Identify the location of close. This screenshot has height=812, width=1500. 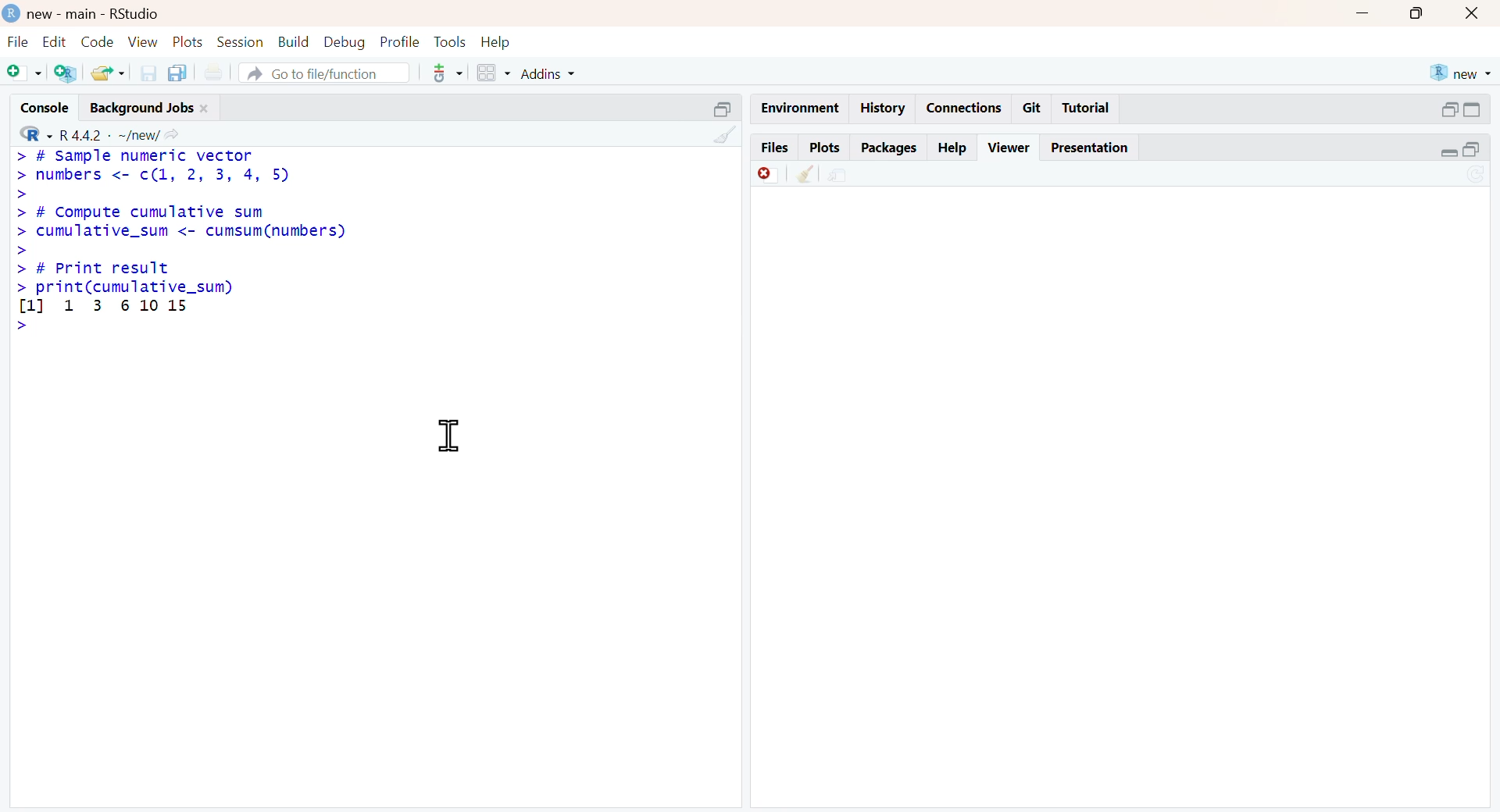
(1473, 14).